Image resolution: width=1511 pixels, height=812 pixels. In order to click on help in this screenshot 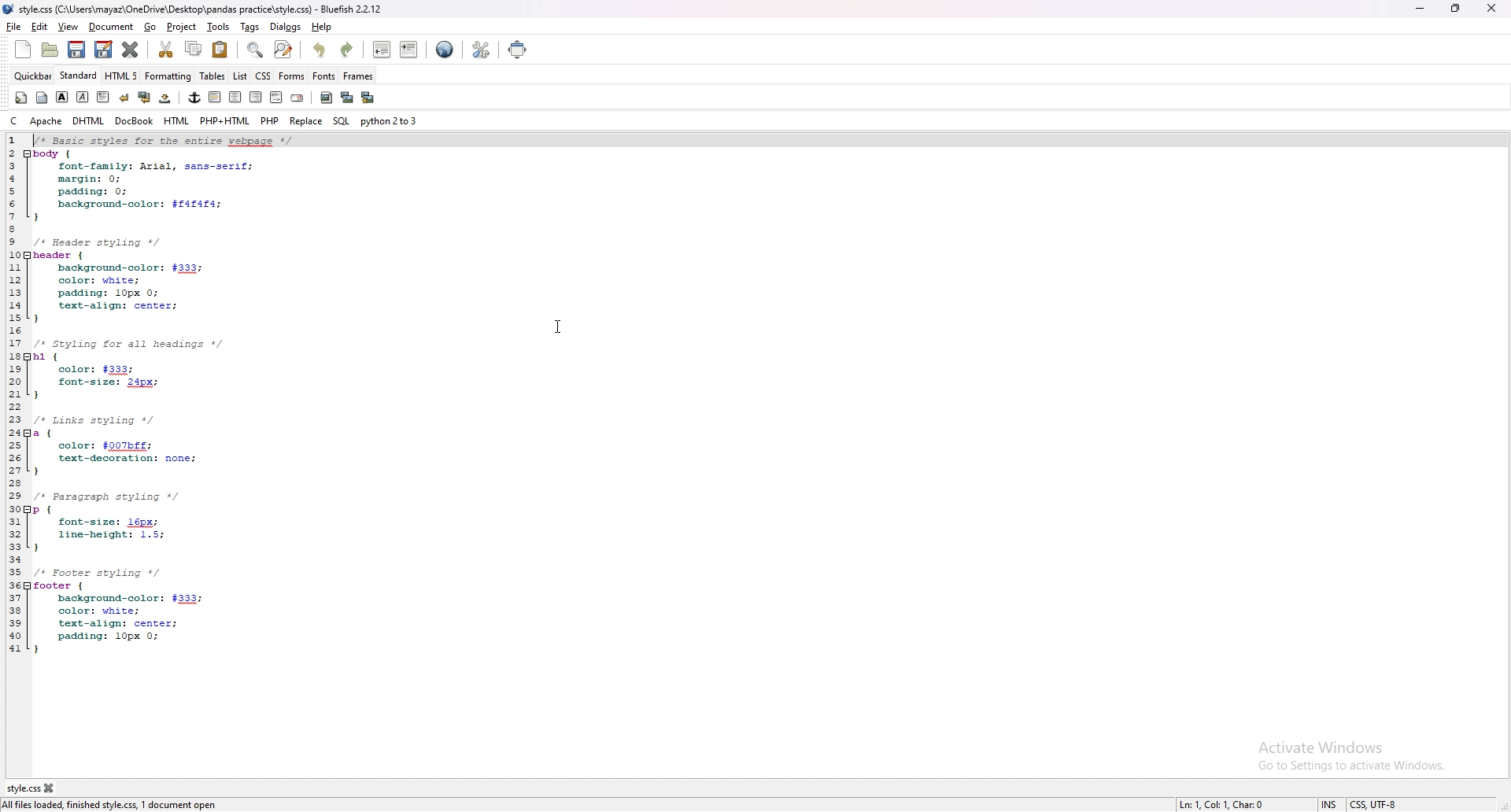, I will do `click(323, 28)`.